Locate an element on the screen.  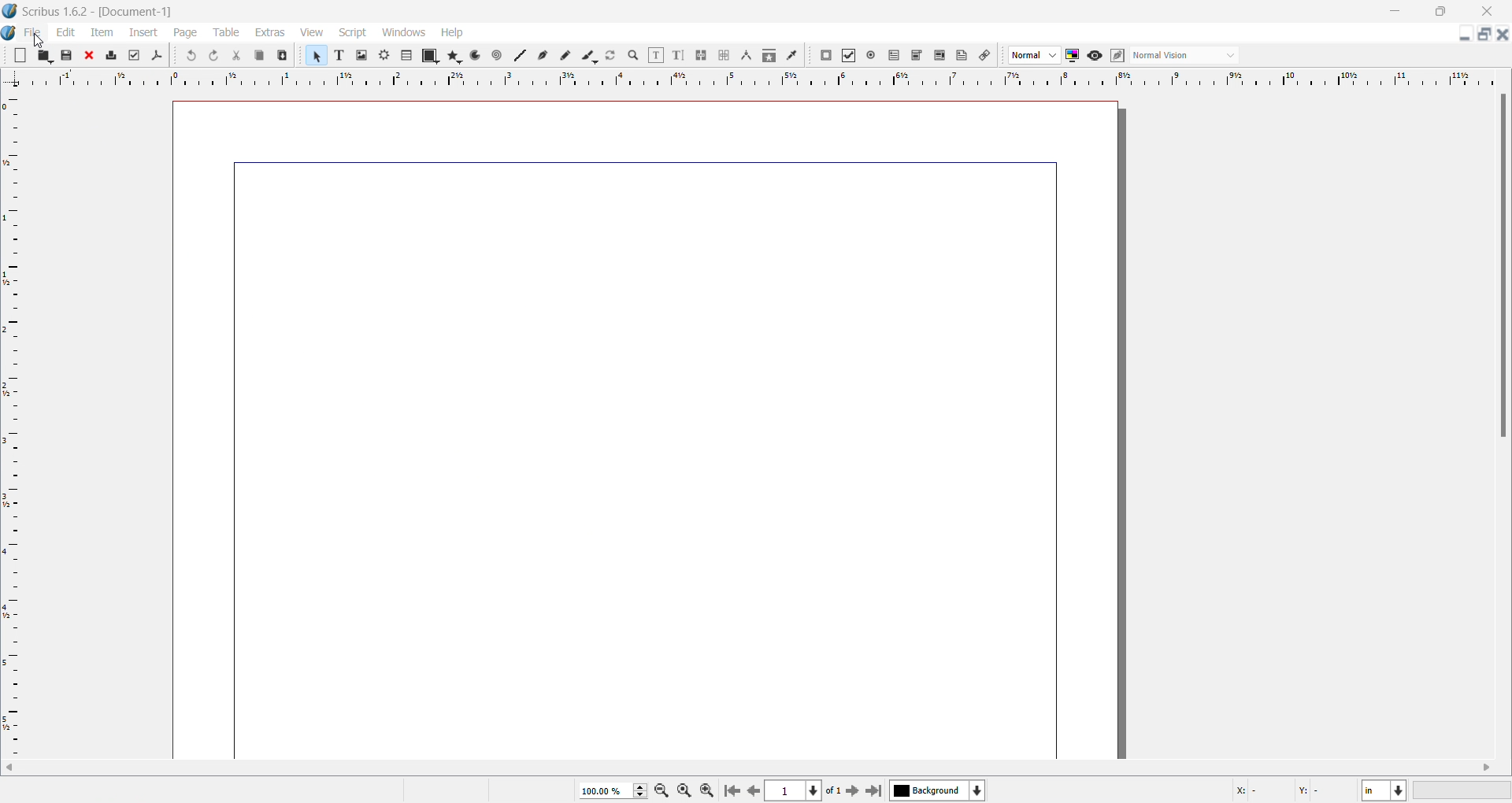
in is located at coordinates (1388, 791).